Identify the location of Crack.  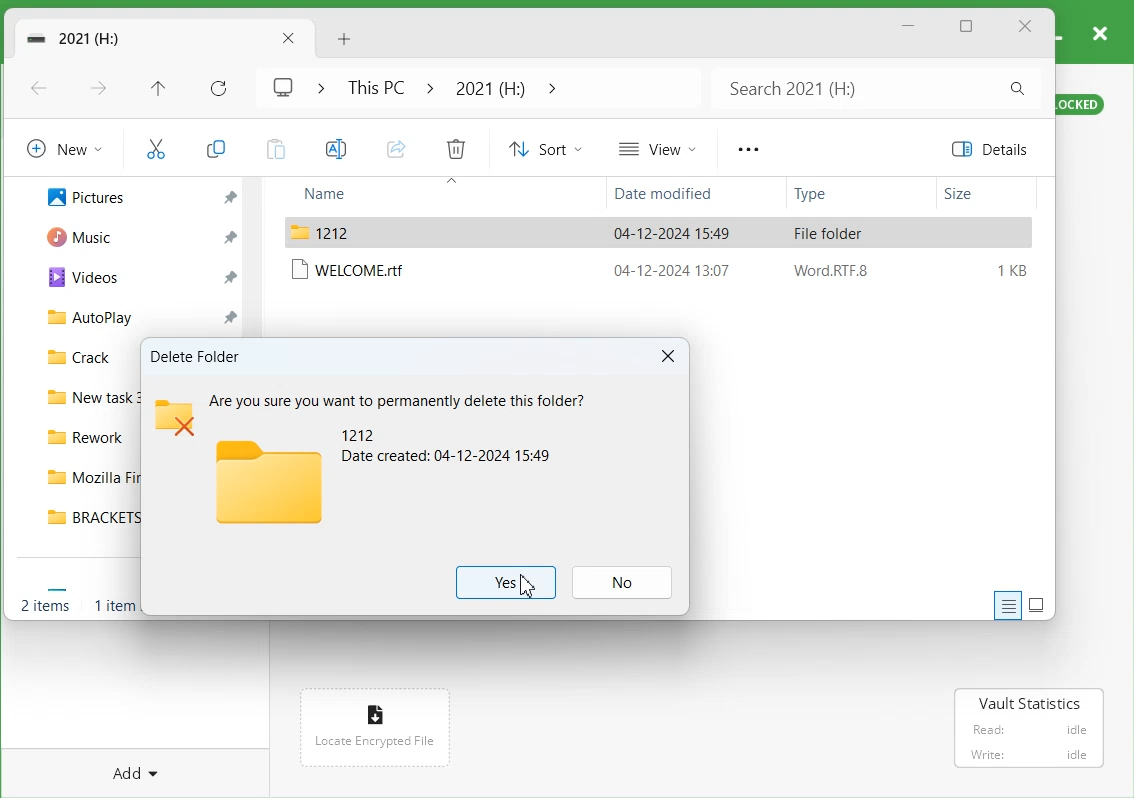
(81, 356).